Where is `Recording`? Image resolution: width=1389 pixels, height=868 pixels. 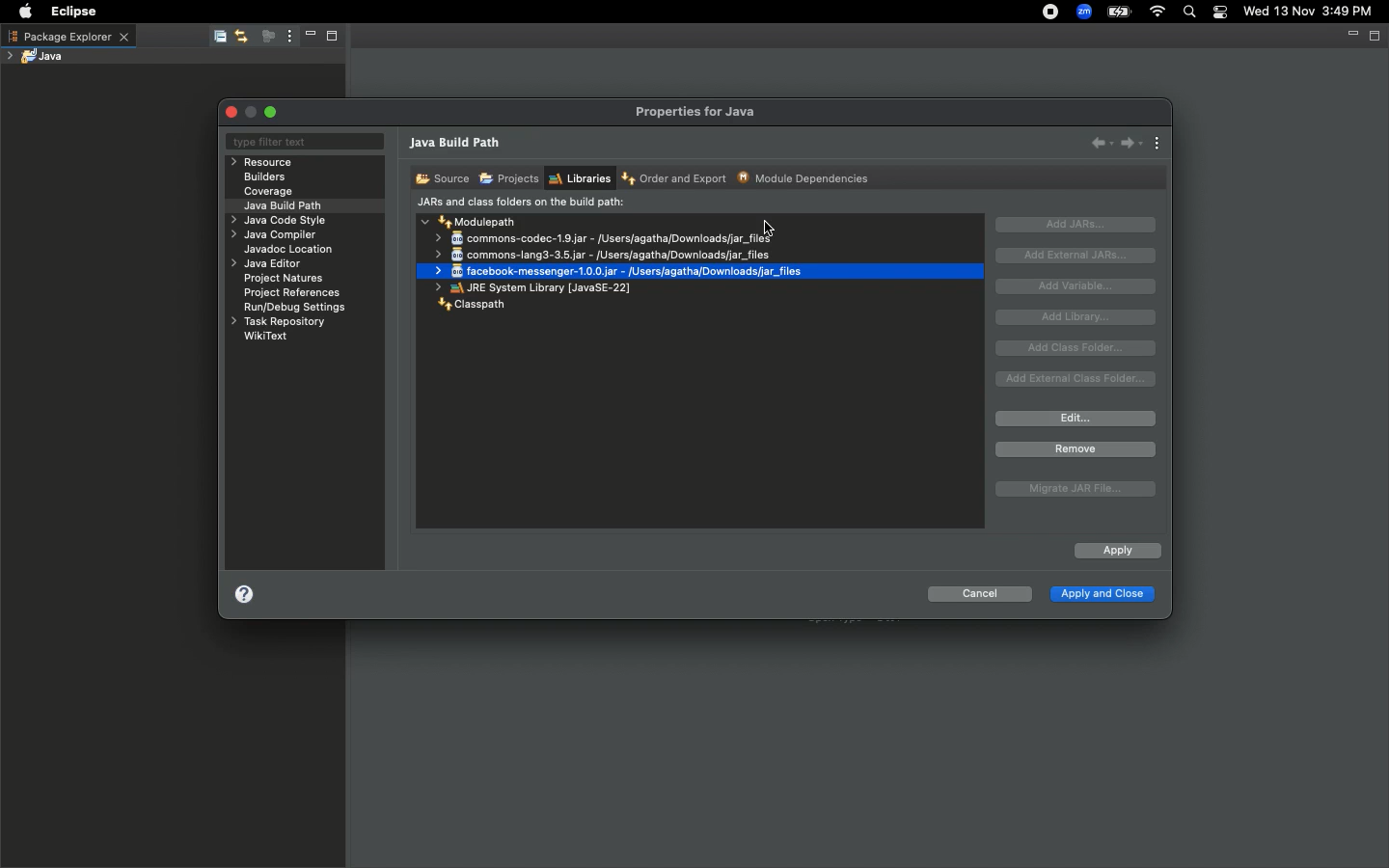 Recording is located at coordinates (1051, 14).